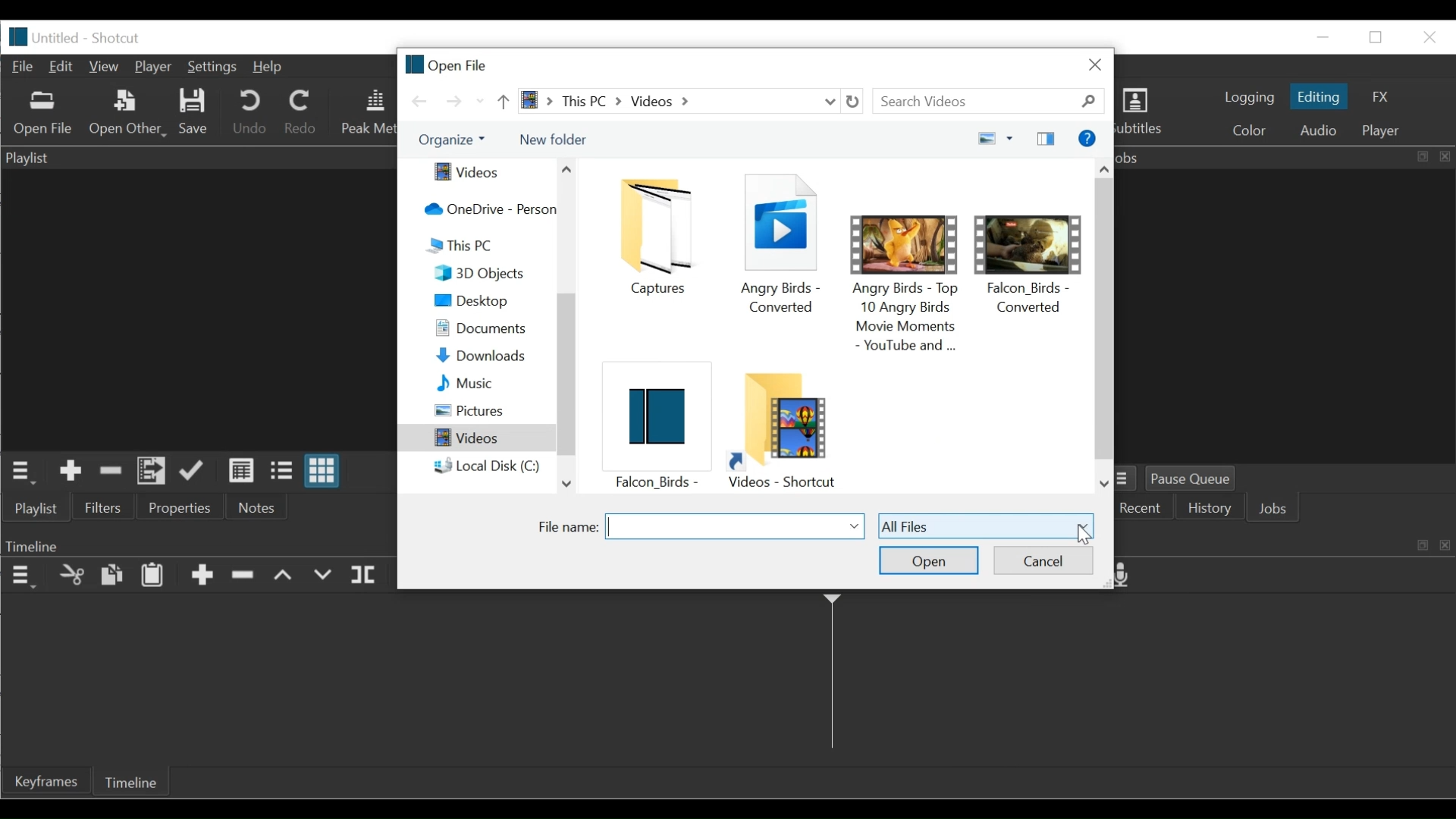 The height and width of the screenshot is (819, 1456). What do you see at coordinates (1104, 316) in the screenshot?
I see `Vertical Scroll bar` at bounding box center [1104, 316].